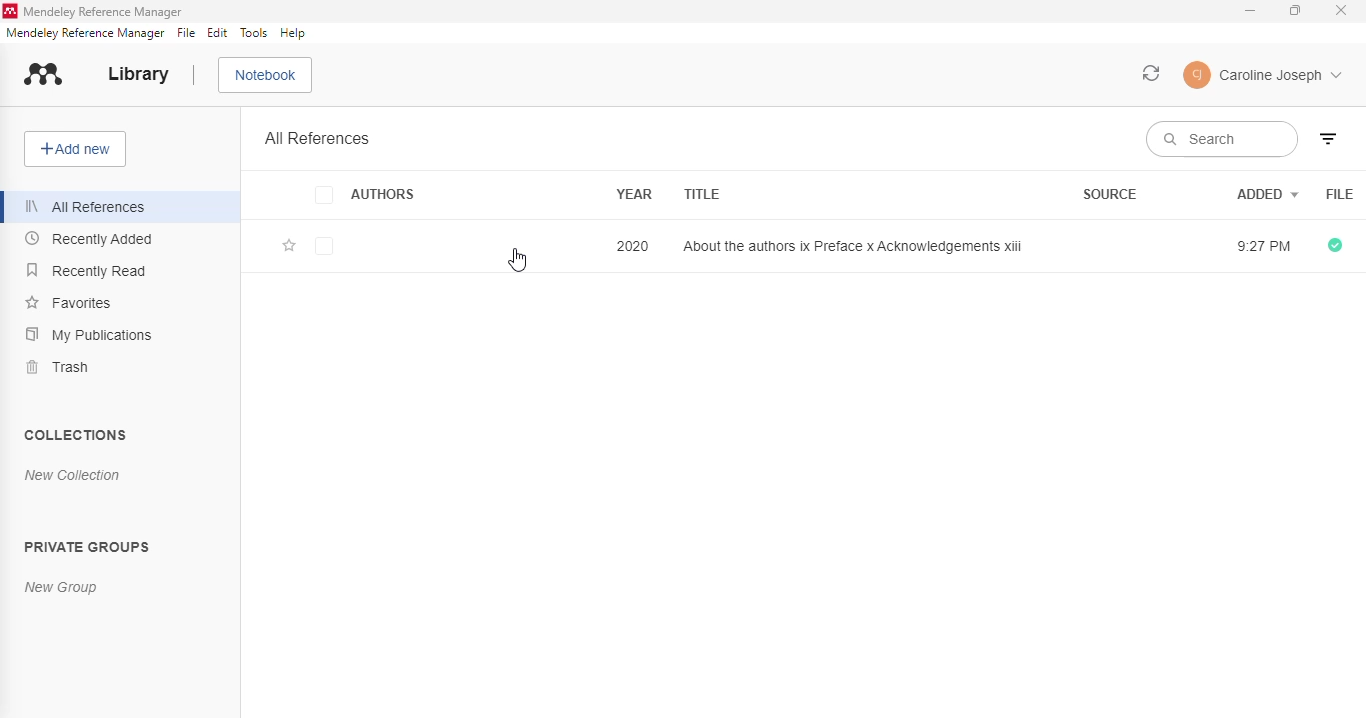  I want to click on file, so click(186, 33).